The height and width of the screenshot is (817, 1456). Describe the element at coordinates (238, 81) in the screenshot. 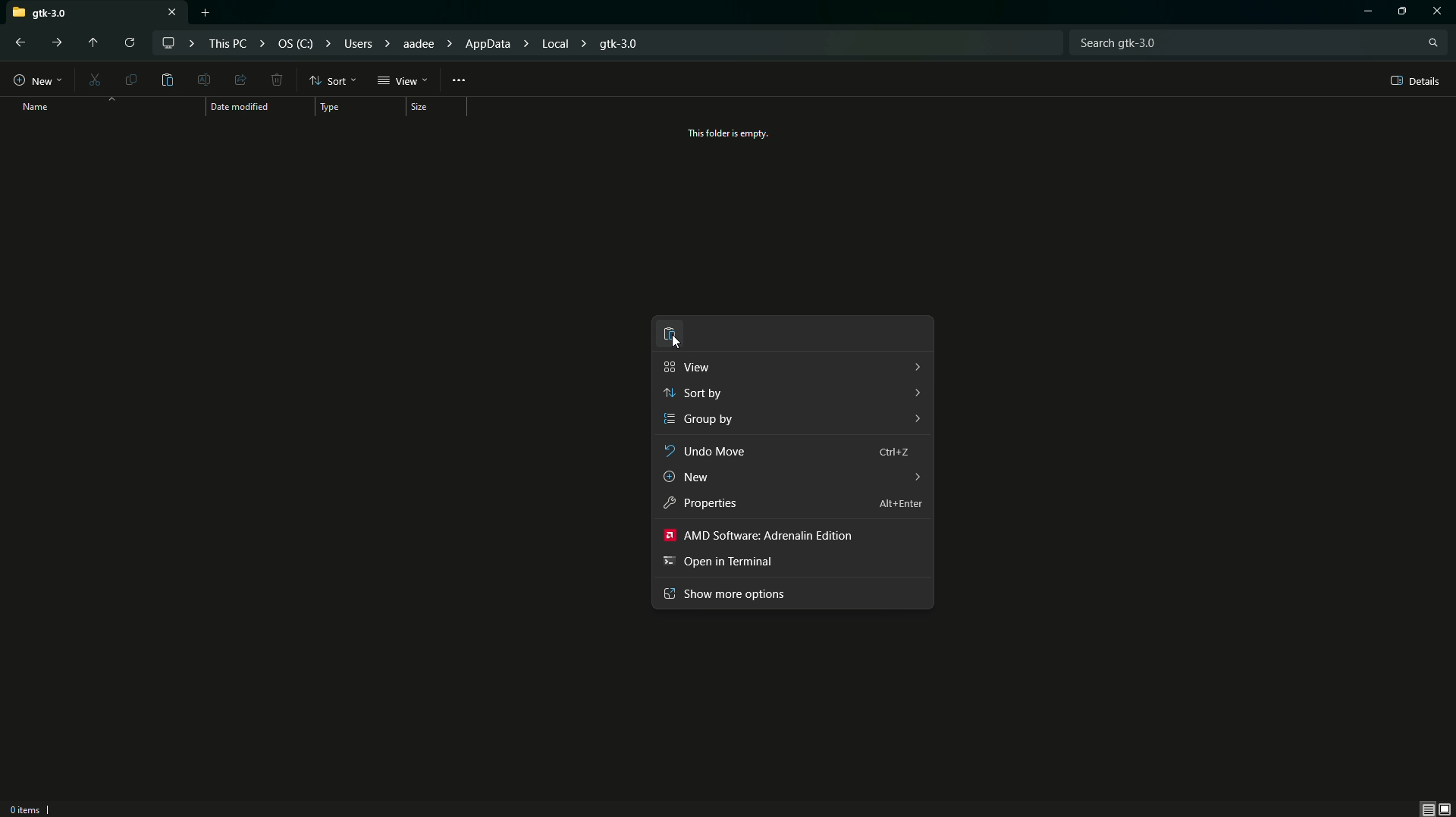

I see `Share` at that location.